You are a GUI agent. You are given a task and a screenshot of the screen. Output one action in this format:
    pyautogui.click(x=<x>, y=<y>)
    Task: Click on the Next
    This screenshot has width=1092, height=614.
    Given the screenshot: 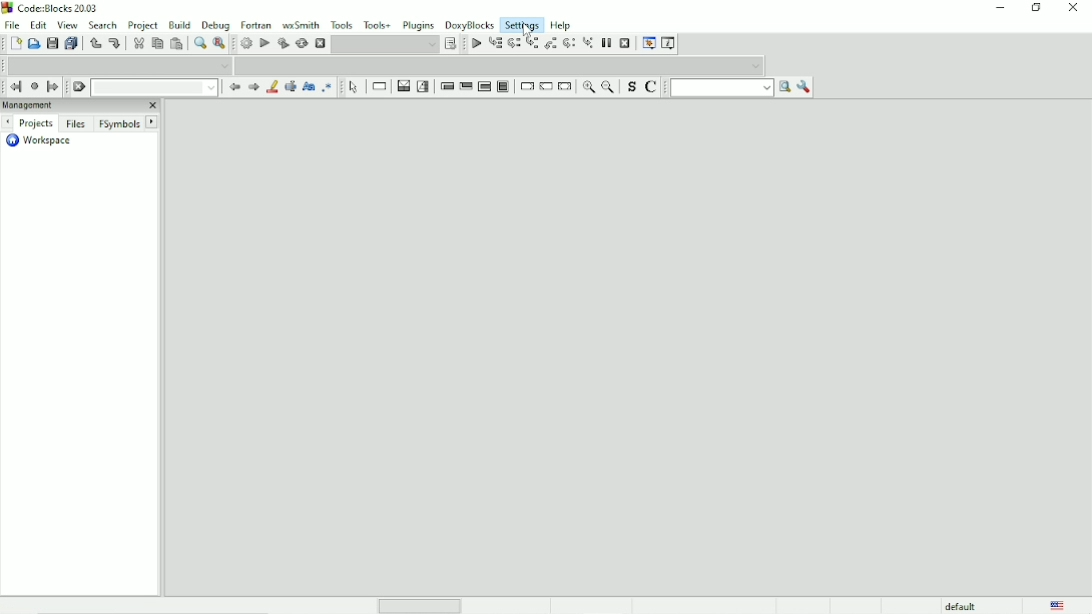 What is the action you would take?
    pyautogui.click(x=253, y=87)
    